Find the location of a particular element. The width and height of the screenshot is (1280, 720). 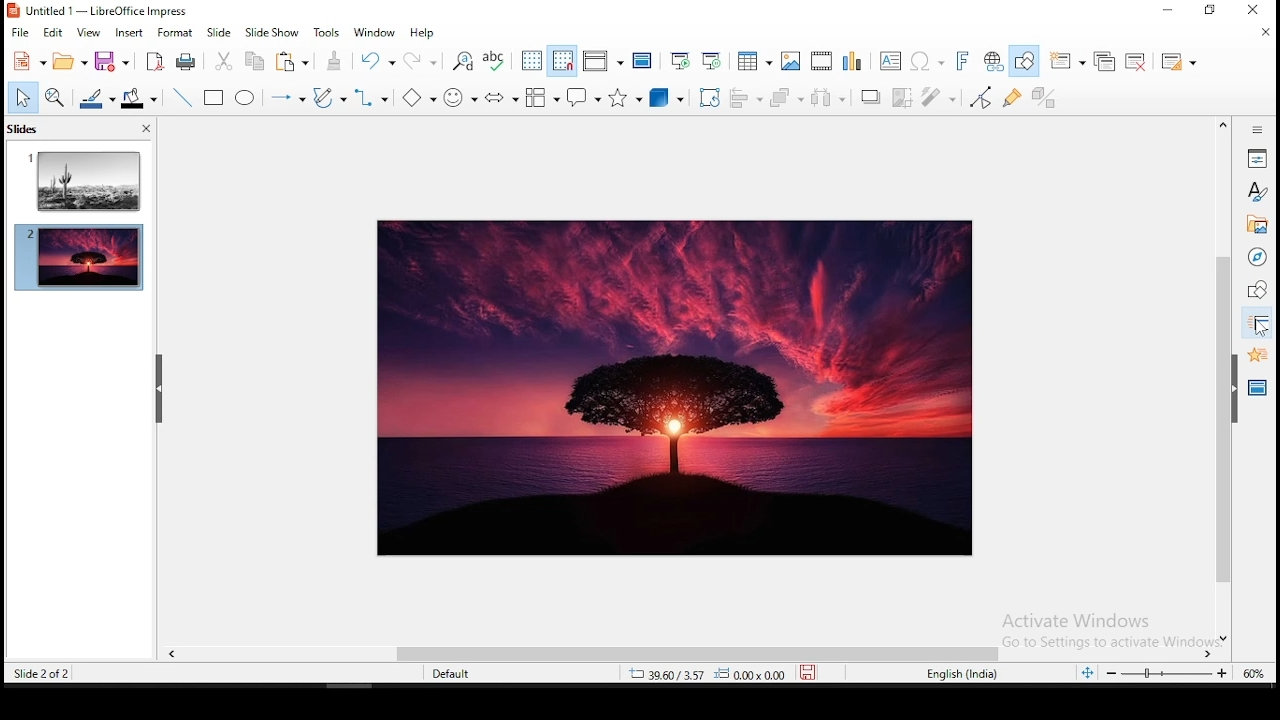

Untitled 1- LibreOffice Impress is located at coordinates (98, 10).